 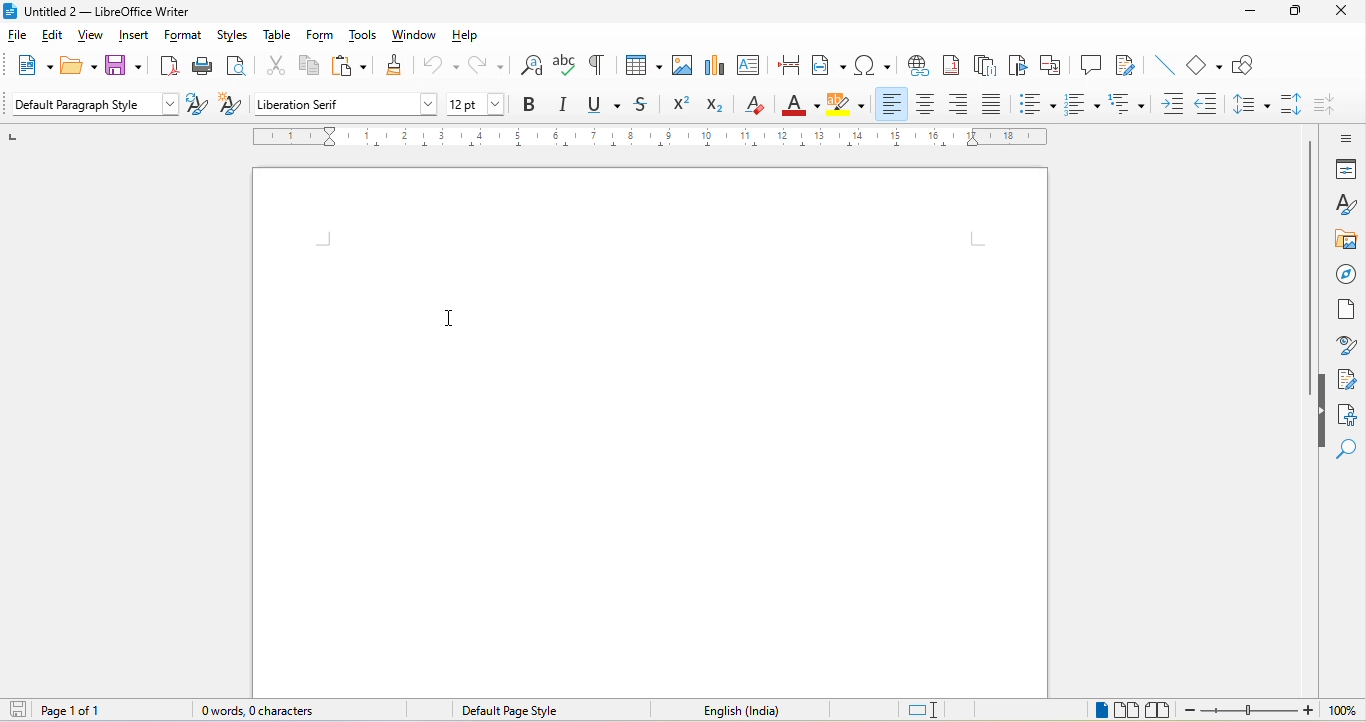 I want to click on justified, so click(x=994, y=103).